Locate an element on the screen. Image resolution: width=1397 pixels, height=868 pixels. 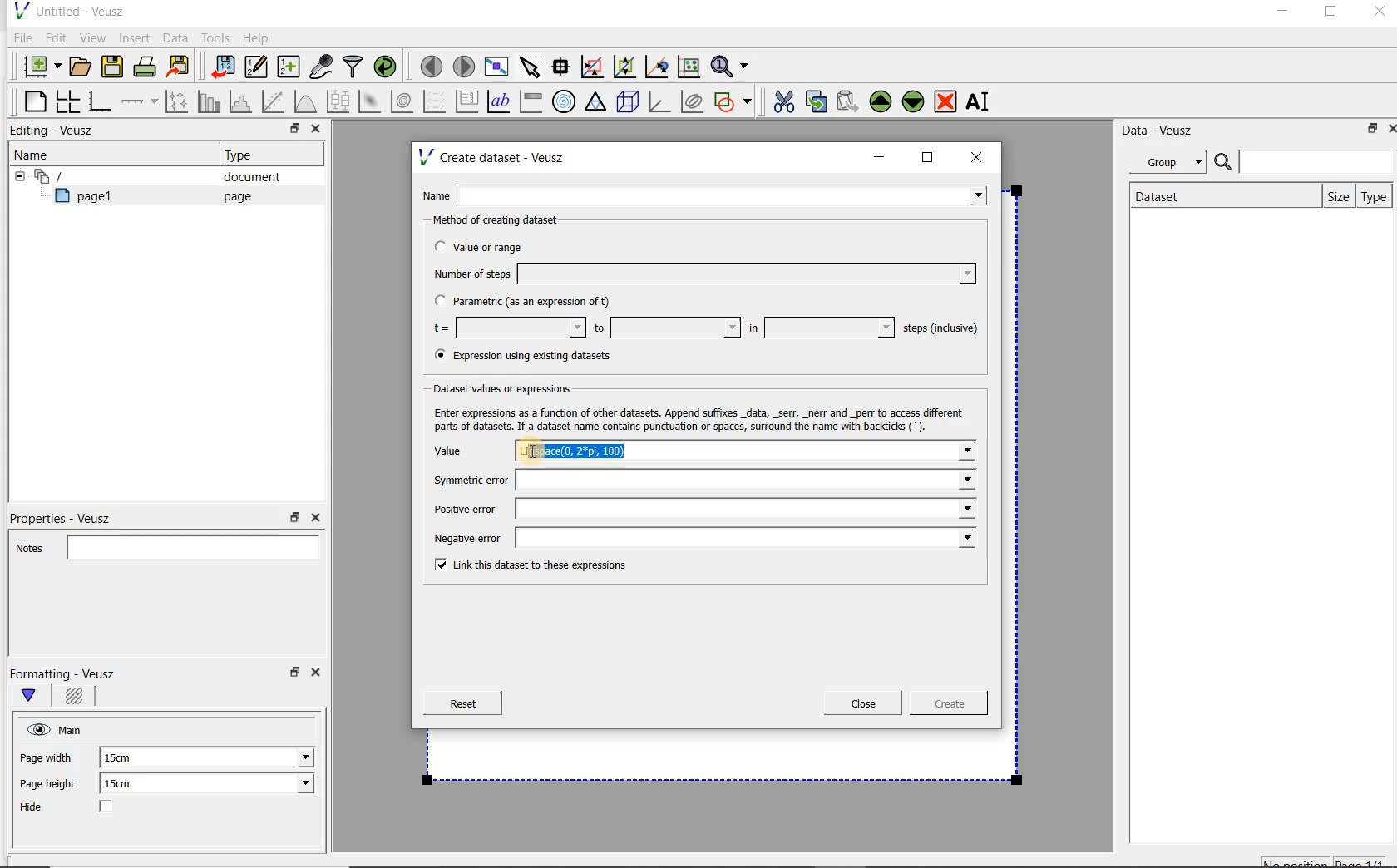
maximize is located at coordinates (1331, 14).